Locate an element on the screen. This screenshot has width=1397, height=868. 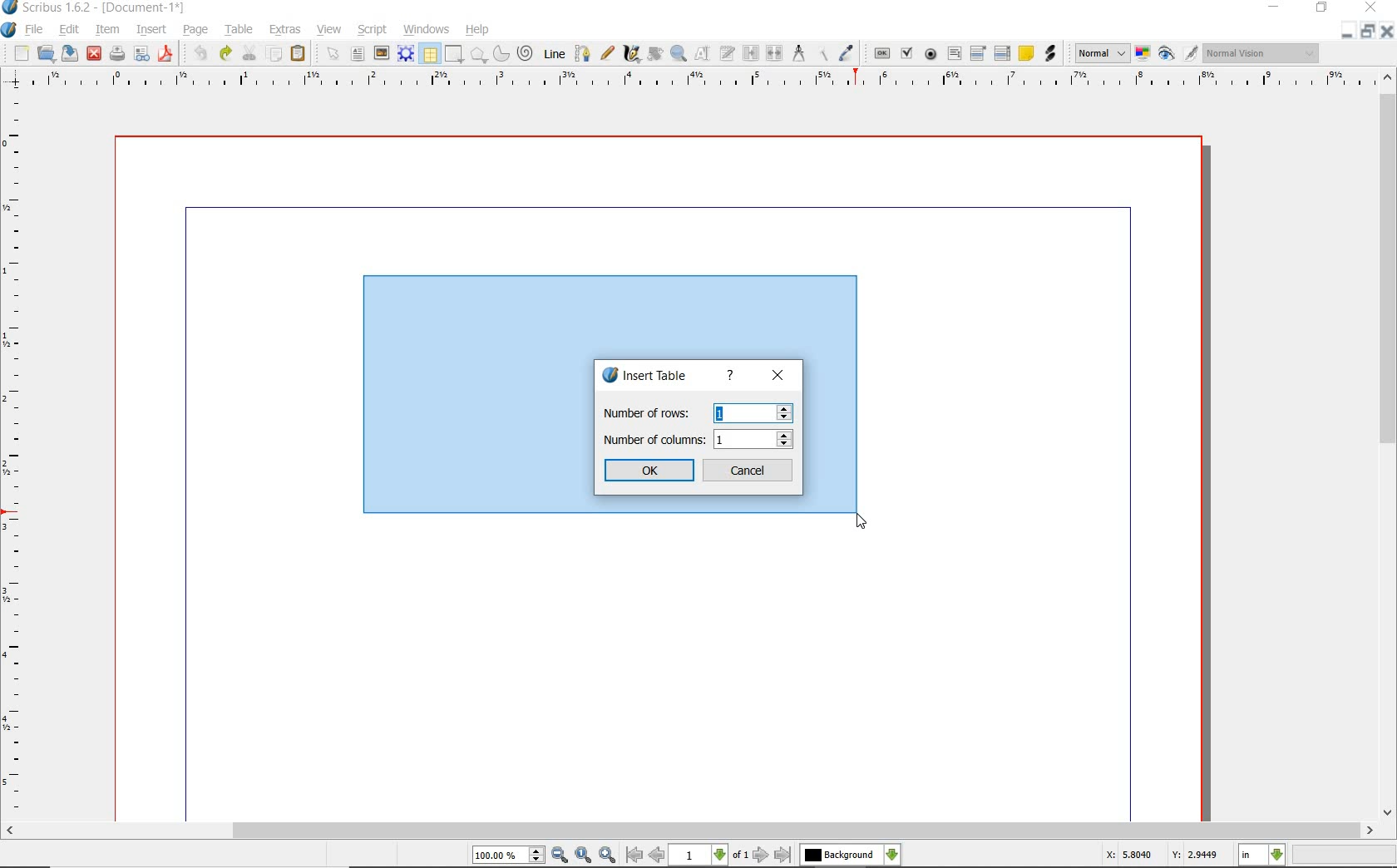
preflight verifier is located at coordinates (141, 55).